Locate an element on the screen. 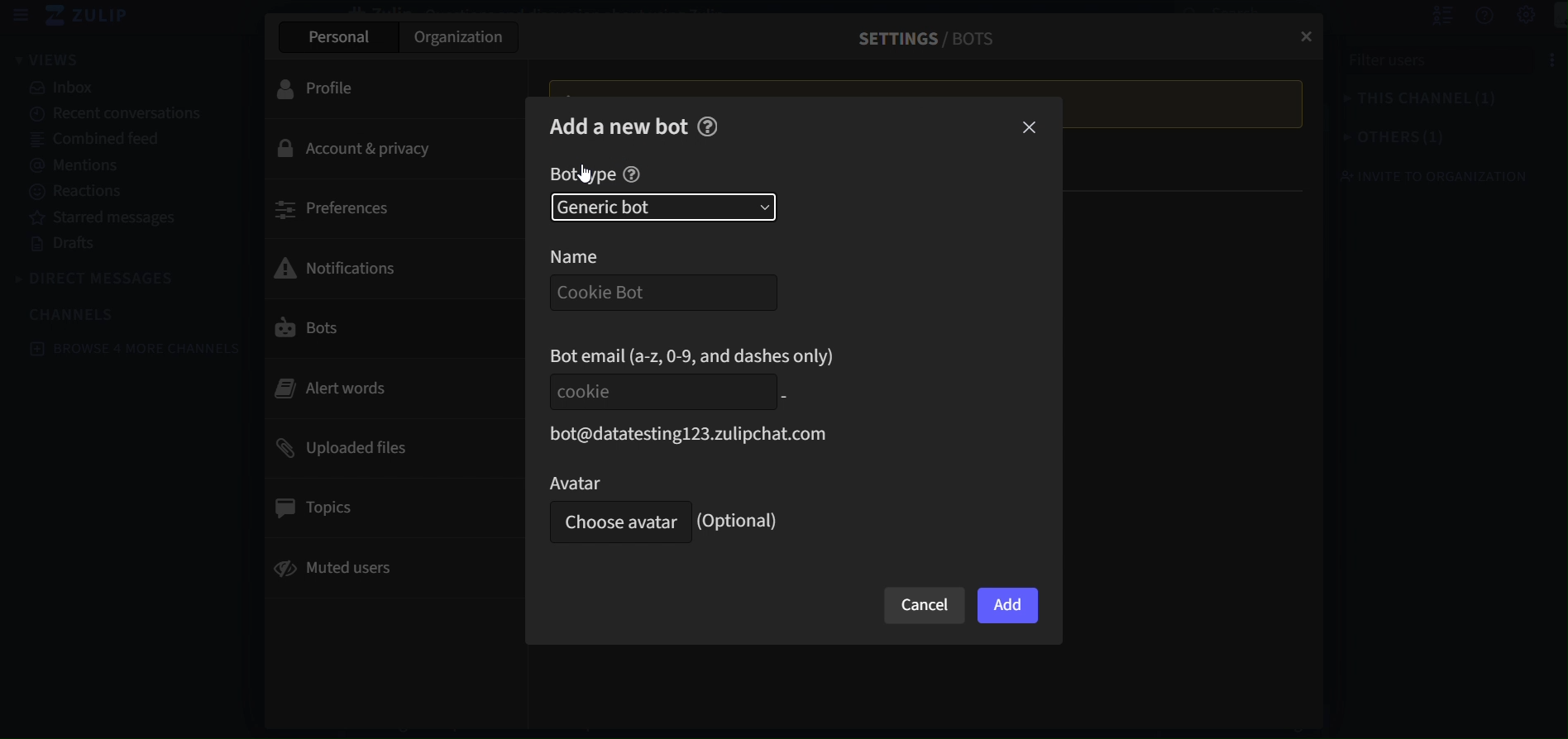 The width and height of the screenshot is (1568, 739). uploaded files is located at coordinates (385, 446).